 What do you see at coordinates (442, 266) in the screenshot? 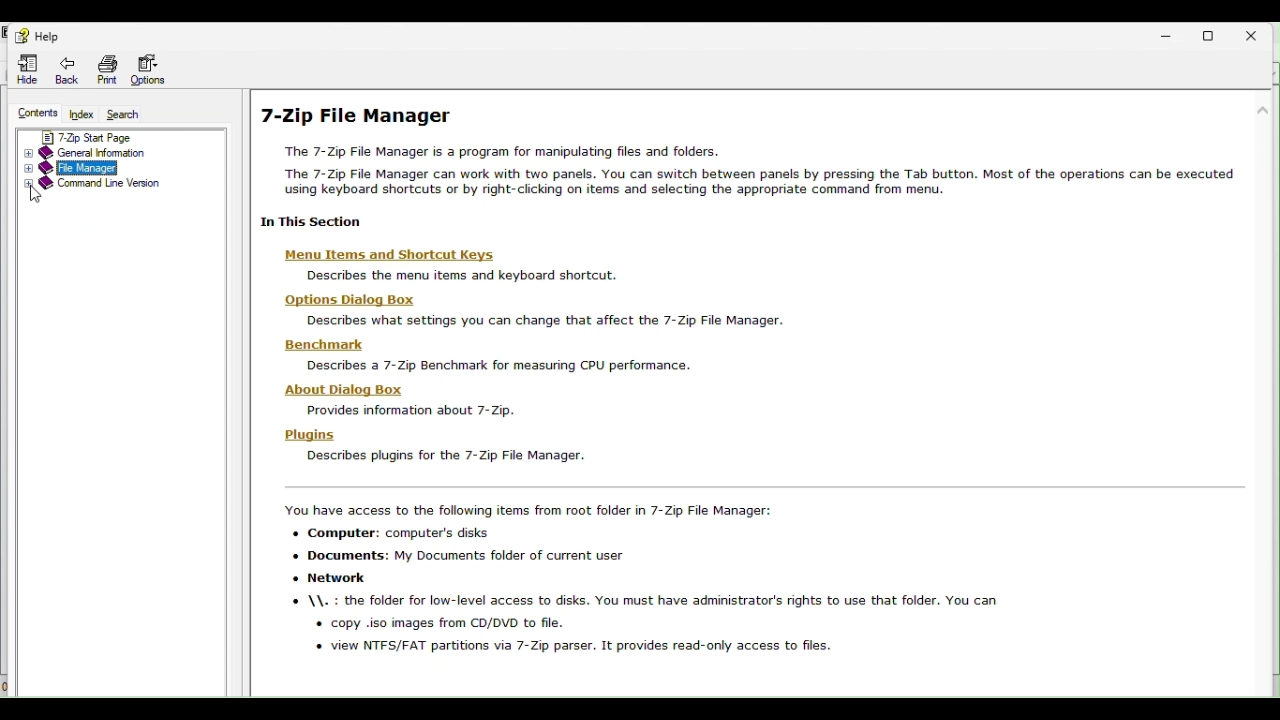
I see `menu items and shortcut keys` at bounding box center [442, 266].